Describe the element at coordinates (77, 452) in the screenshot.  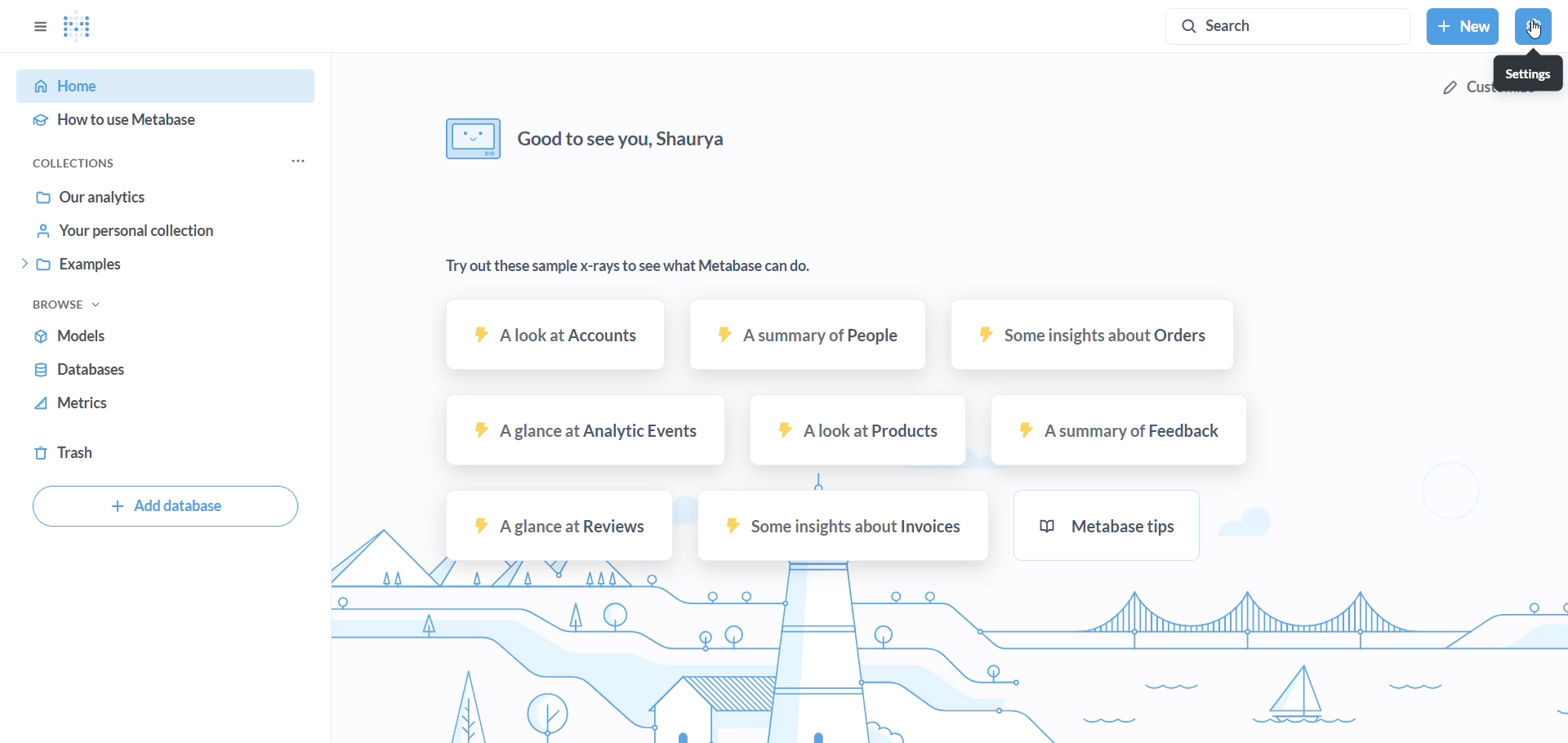
I see `trash` at that location.